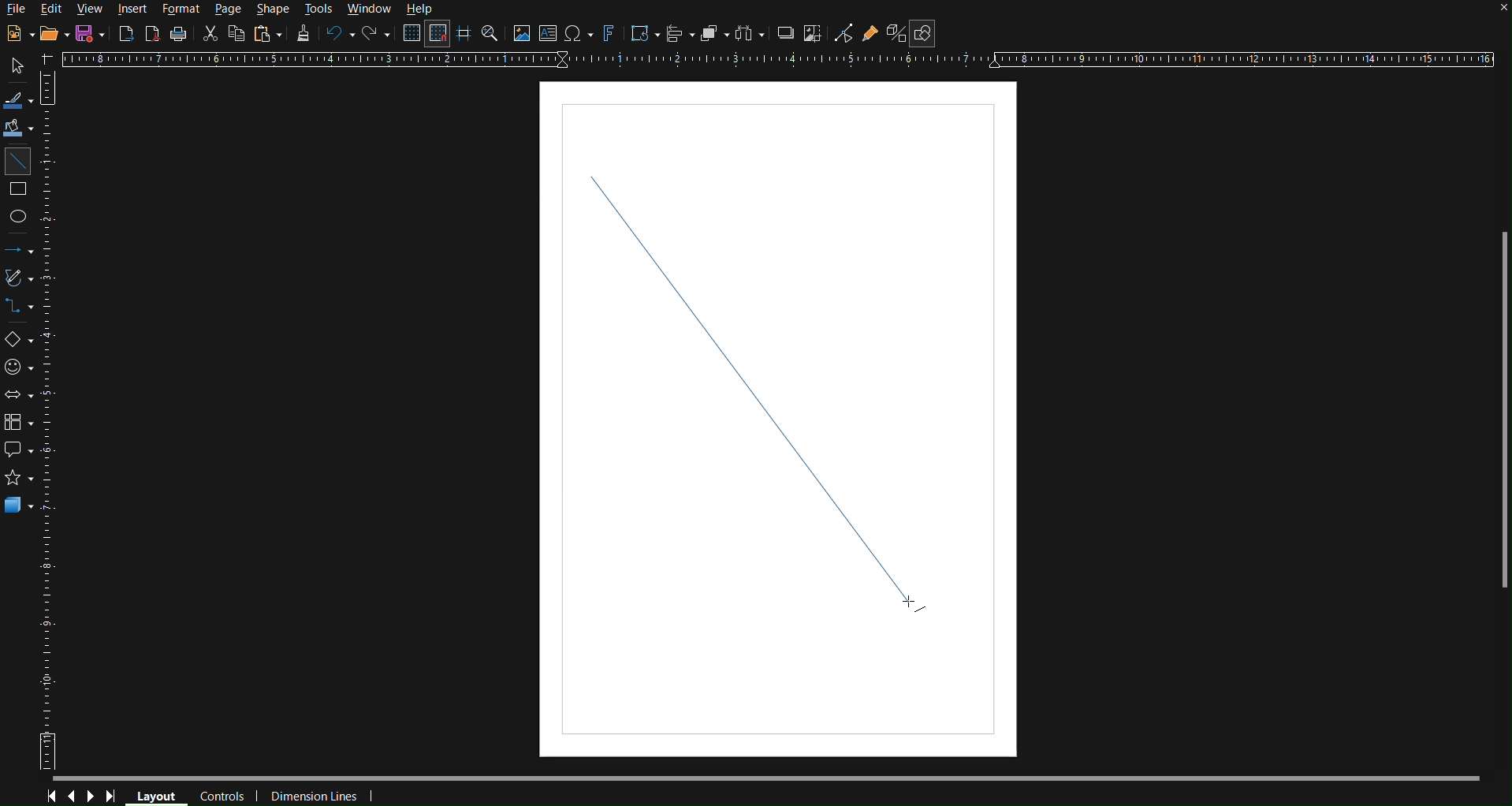 The height and width of the screenshot is (806, 1512). I want to click on Guidelines while moving, so click(465, 33).